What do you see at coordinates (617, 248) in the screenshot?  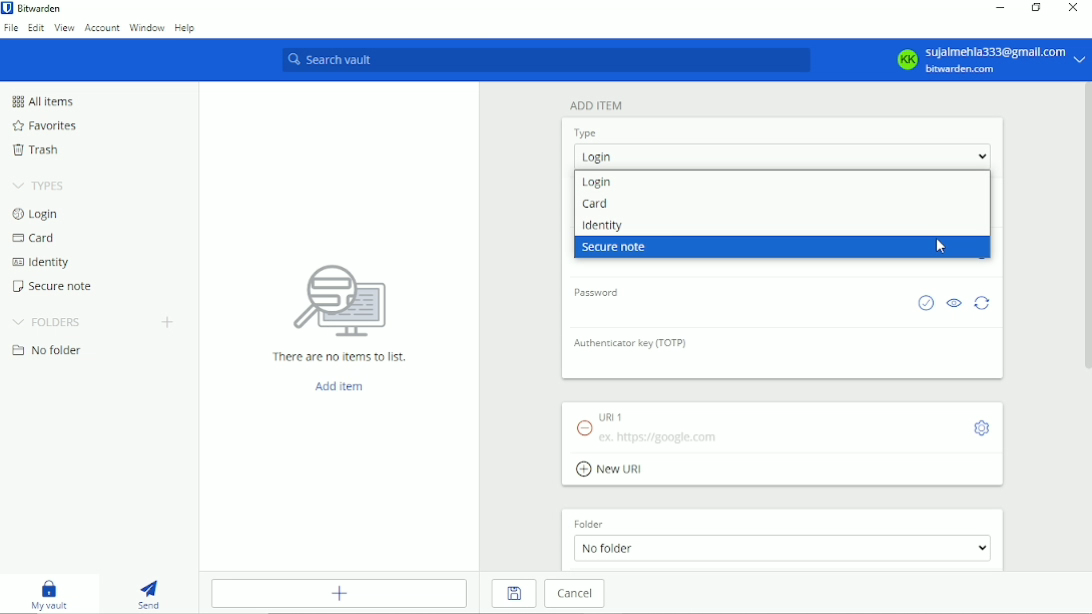 I see `Secure note` at bounding box center [617, 248].